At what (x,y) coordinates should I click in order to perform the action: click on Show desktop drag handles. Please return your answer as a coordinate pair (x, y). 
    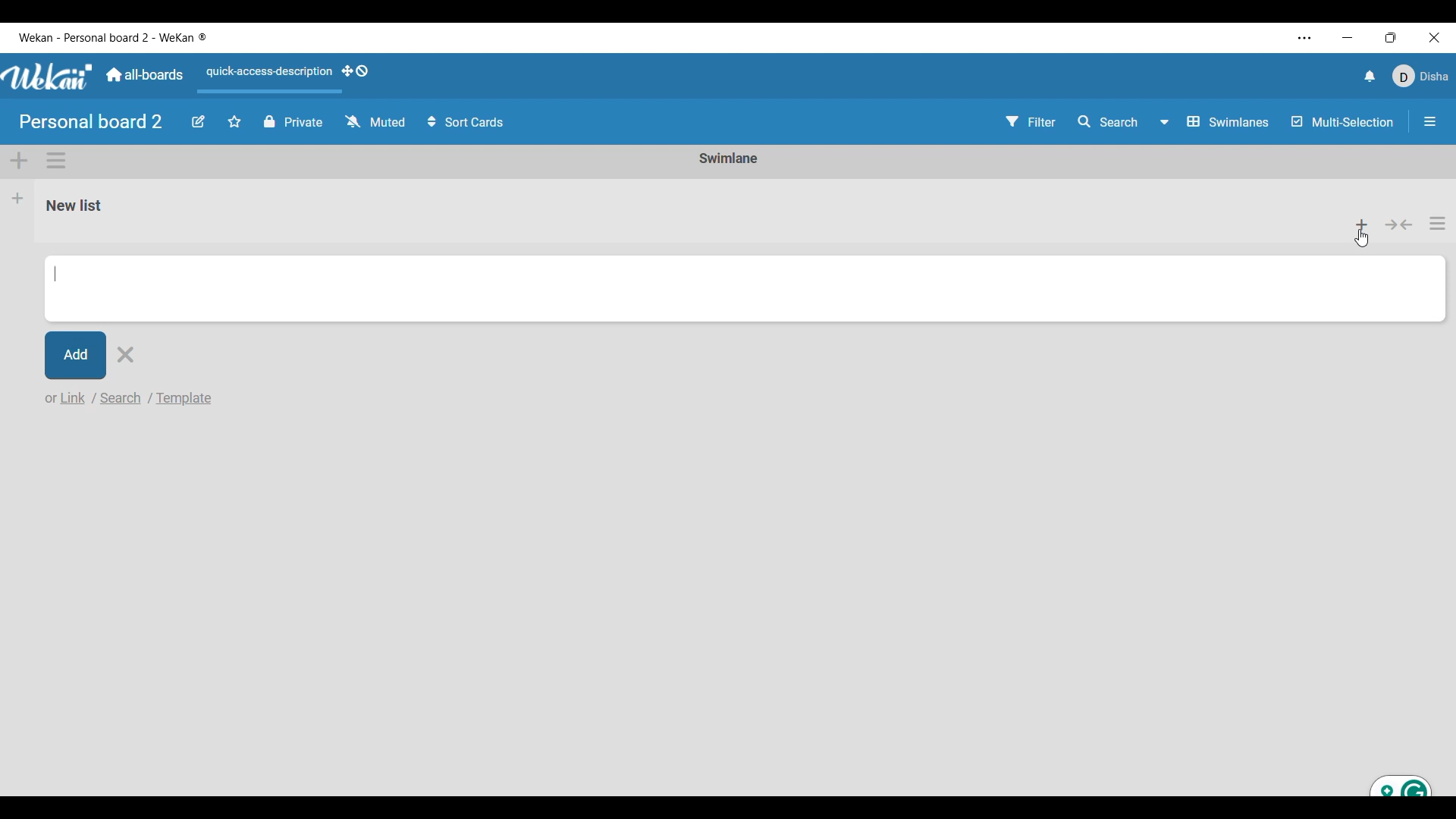
    Looking at the image, I should click on (356, 71).